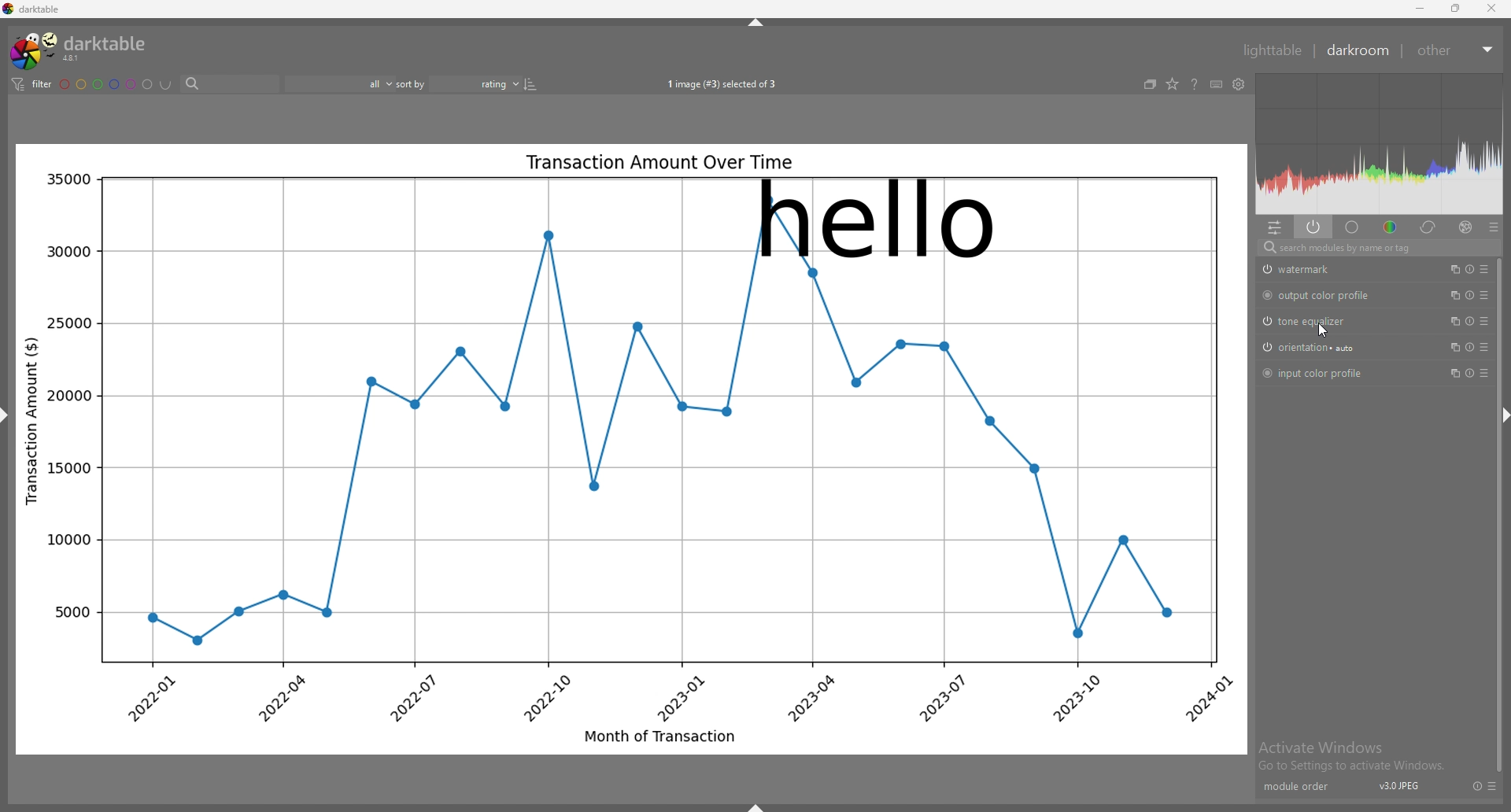 Image resolution: width=1511 pixels, height=812 pixels. I want to click on filter, so click(31, 86).